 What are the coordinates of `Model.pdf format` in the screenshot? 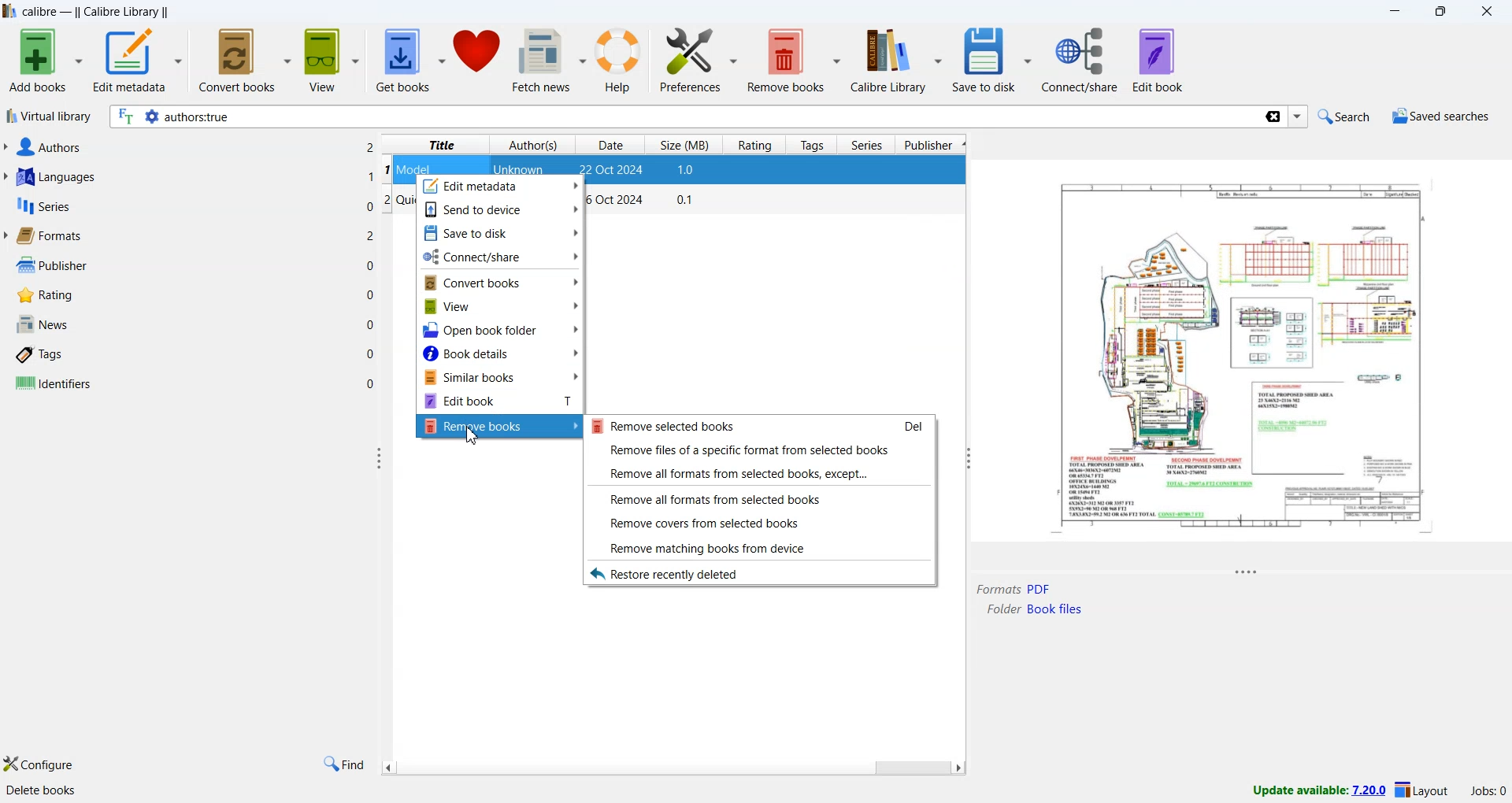 It's located at (1014, 589).